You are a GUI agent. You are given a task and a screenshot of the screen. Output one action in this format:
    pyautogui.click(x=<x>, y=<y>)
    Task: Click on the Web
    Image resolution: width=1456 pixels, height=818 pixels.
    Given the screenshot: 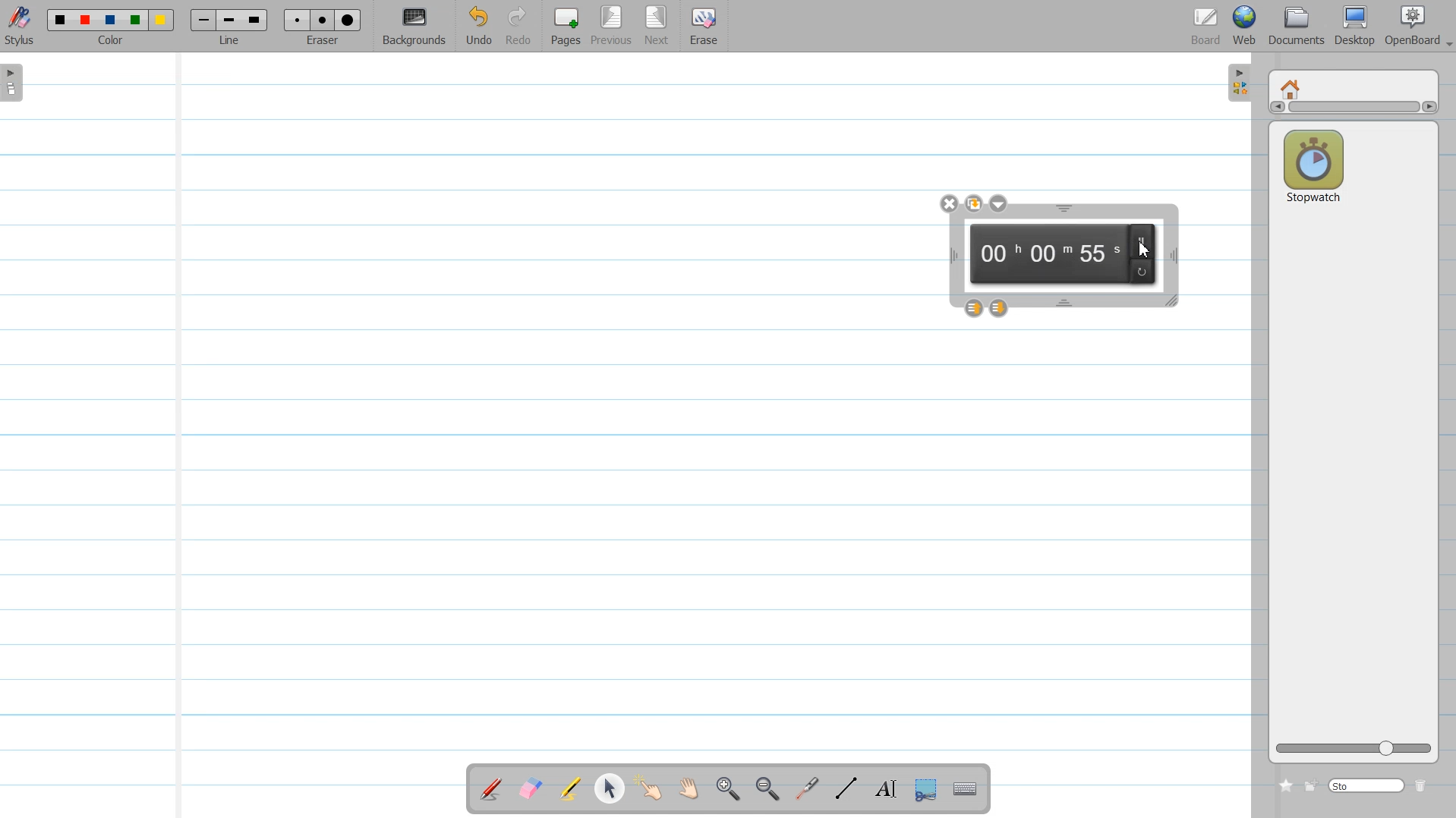 What is the action you would take?
    pyautogui.click(x=1246, y=26)
    